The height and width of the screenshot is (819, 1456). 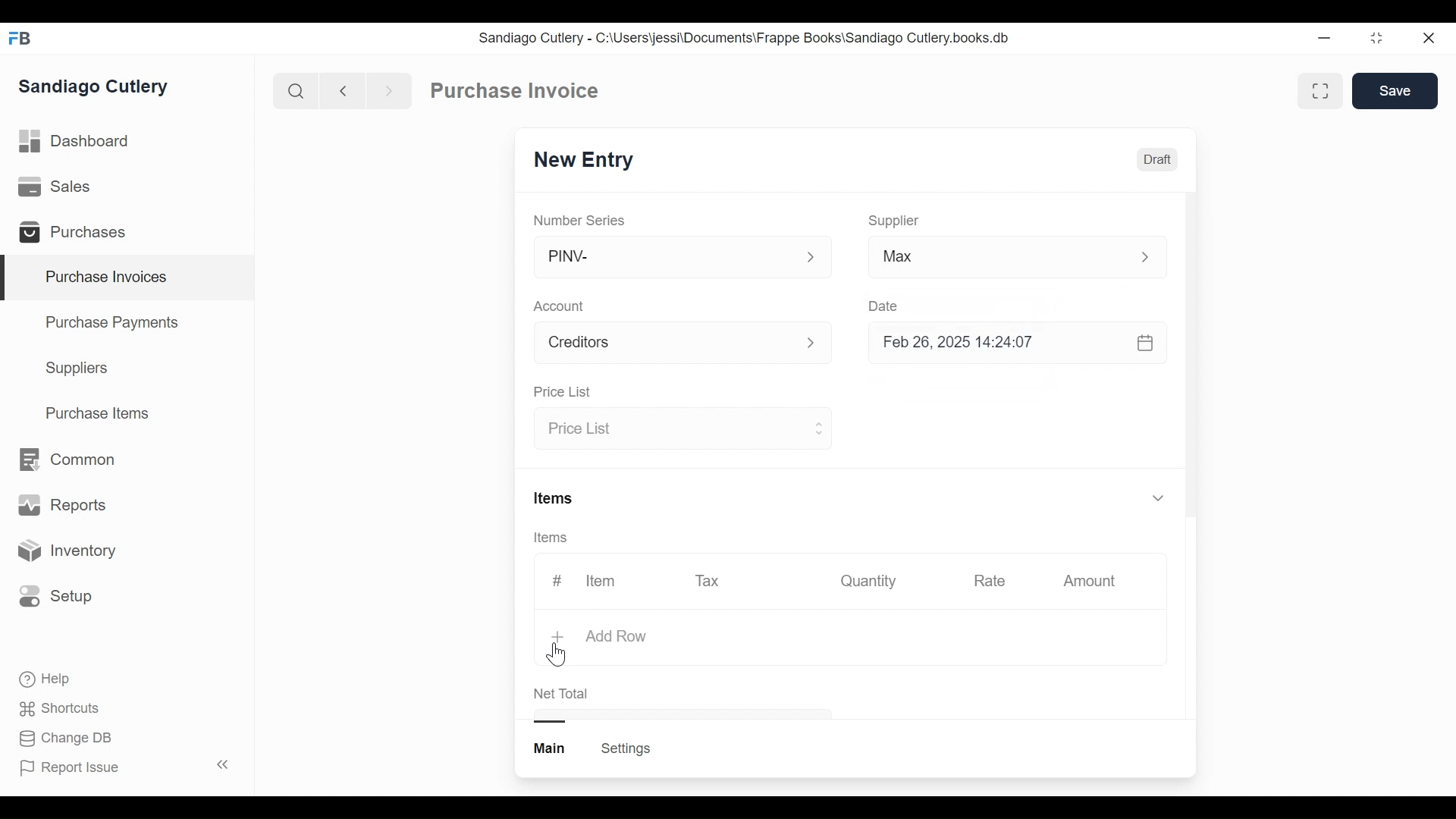 What do you see at coordinates (560, 639) in the screenshot?
I see `+` at bounding box center [560, 639].